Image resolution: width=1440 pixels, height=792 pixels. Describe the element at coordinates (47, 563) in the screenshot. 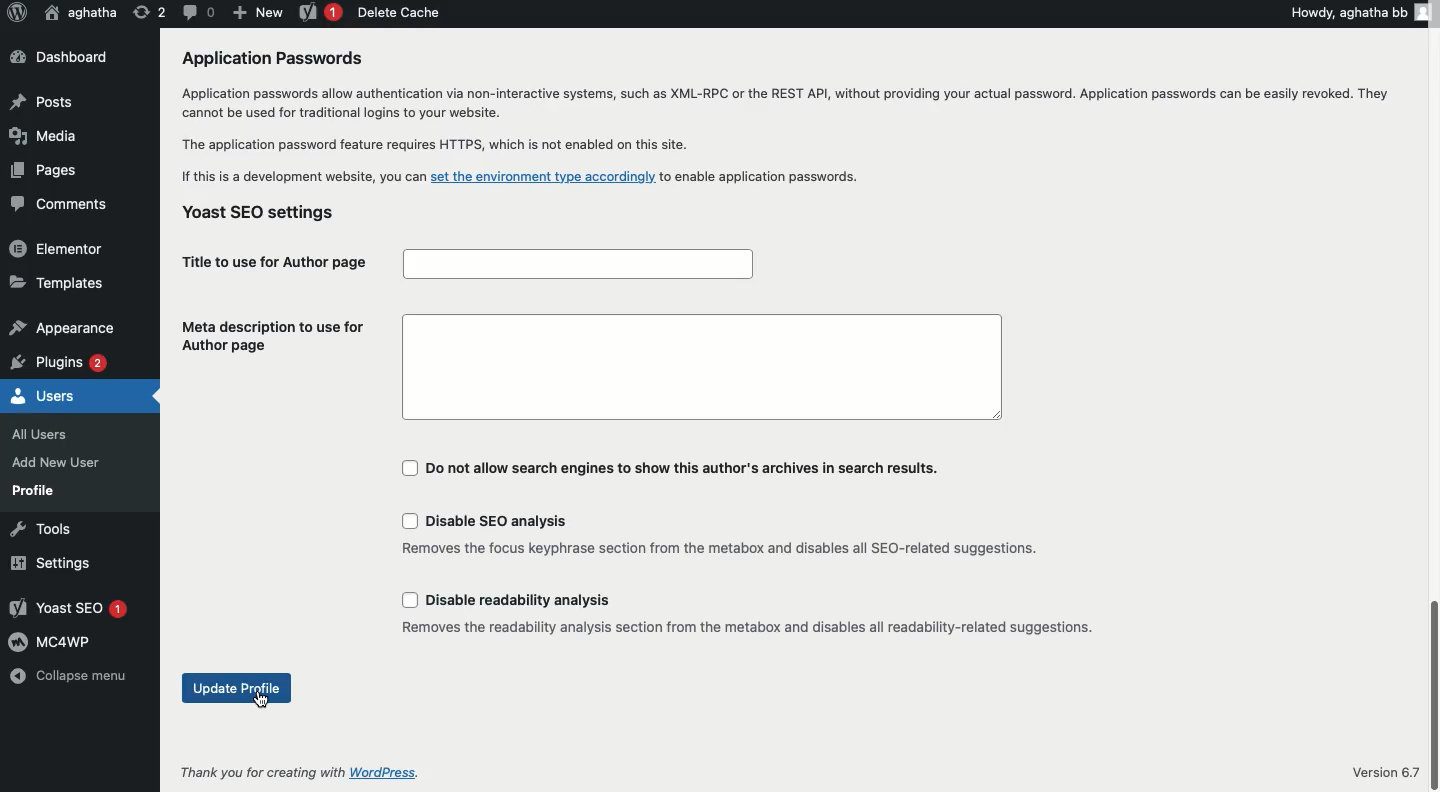

I see `Settings` at that location.